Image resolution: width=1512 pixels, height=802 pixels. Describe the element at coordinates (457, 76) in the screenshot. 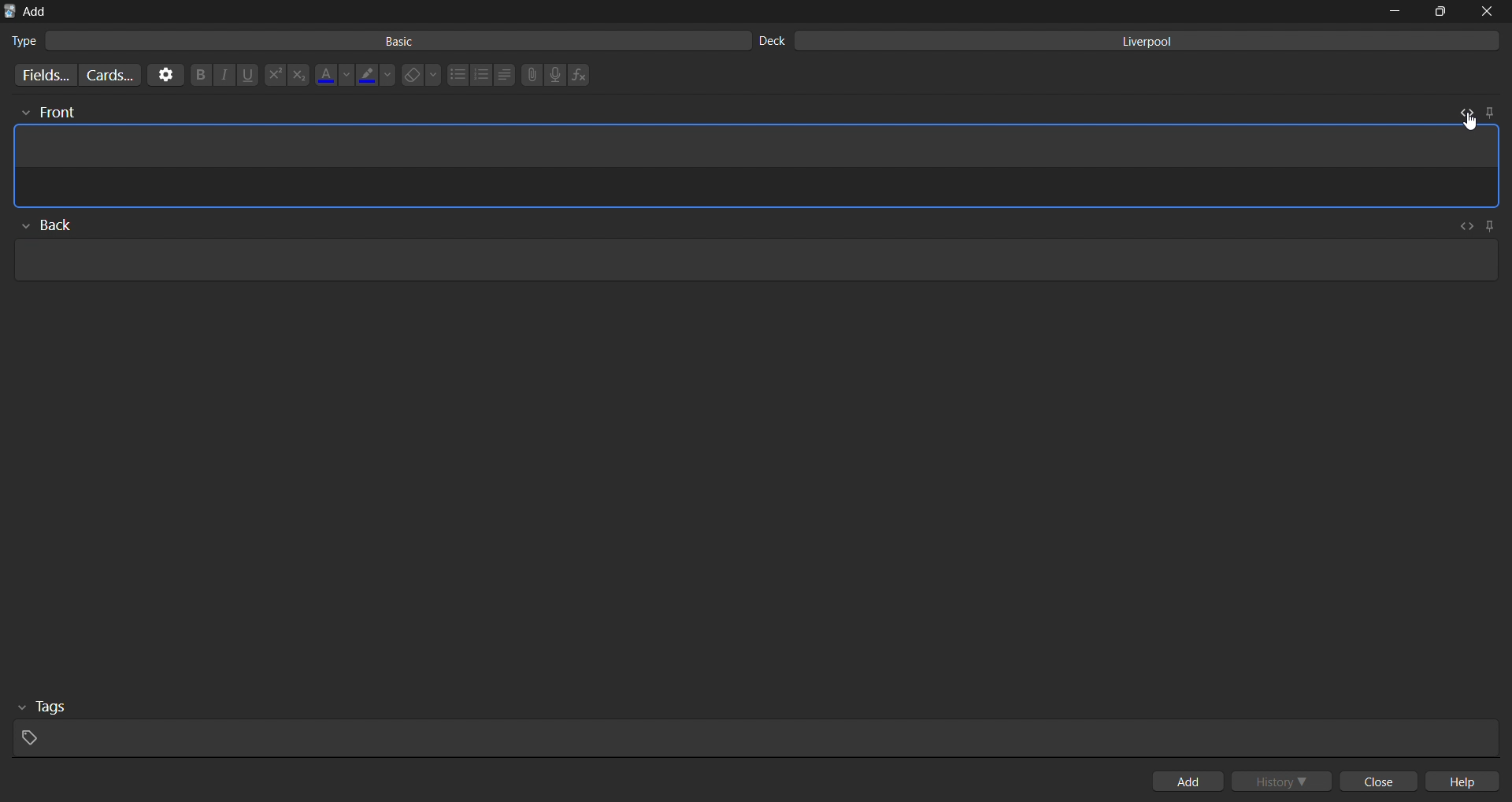

I see `unordered list` at that location.